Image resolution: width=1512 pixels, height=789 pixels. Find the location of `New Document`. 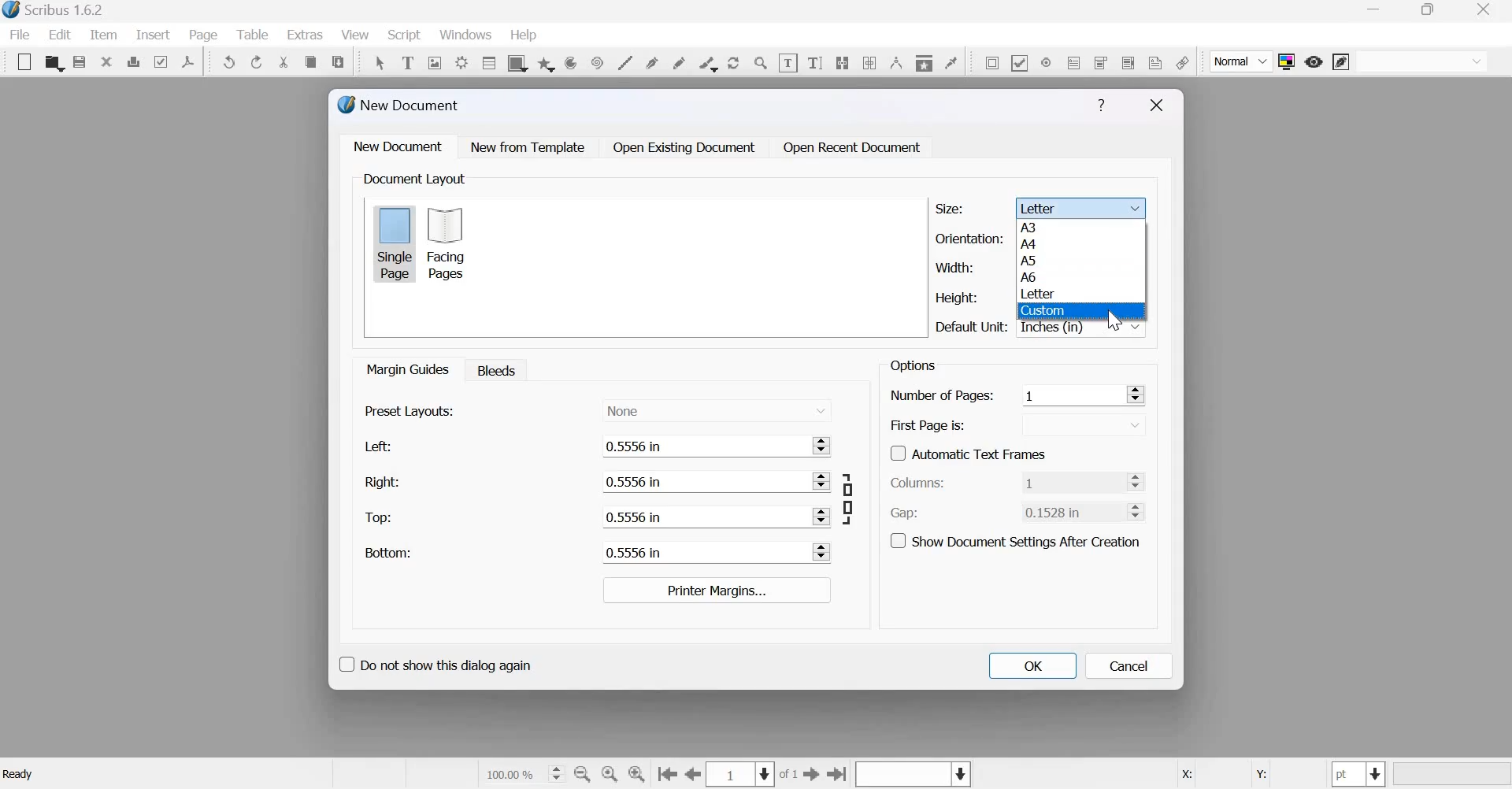

New Document is located at coordinates (400, 105).